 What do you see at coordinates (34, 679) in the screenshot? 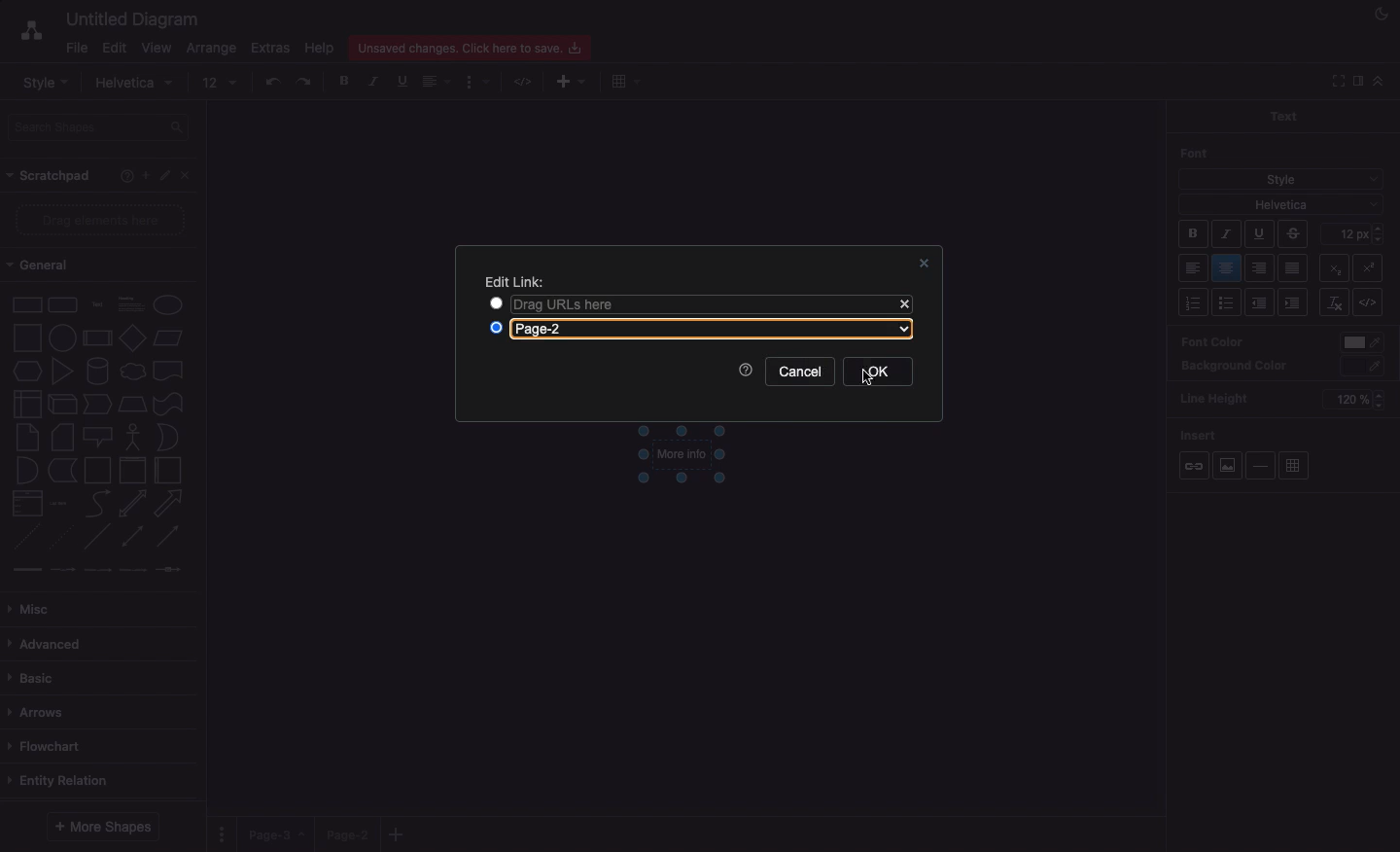
I see `Basic` at bounding box center [34, 679].